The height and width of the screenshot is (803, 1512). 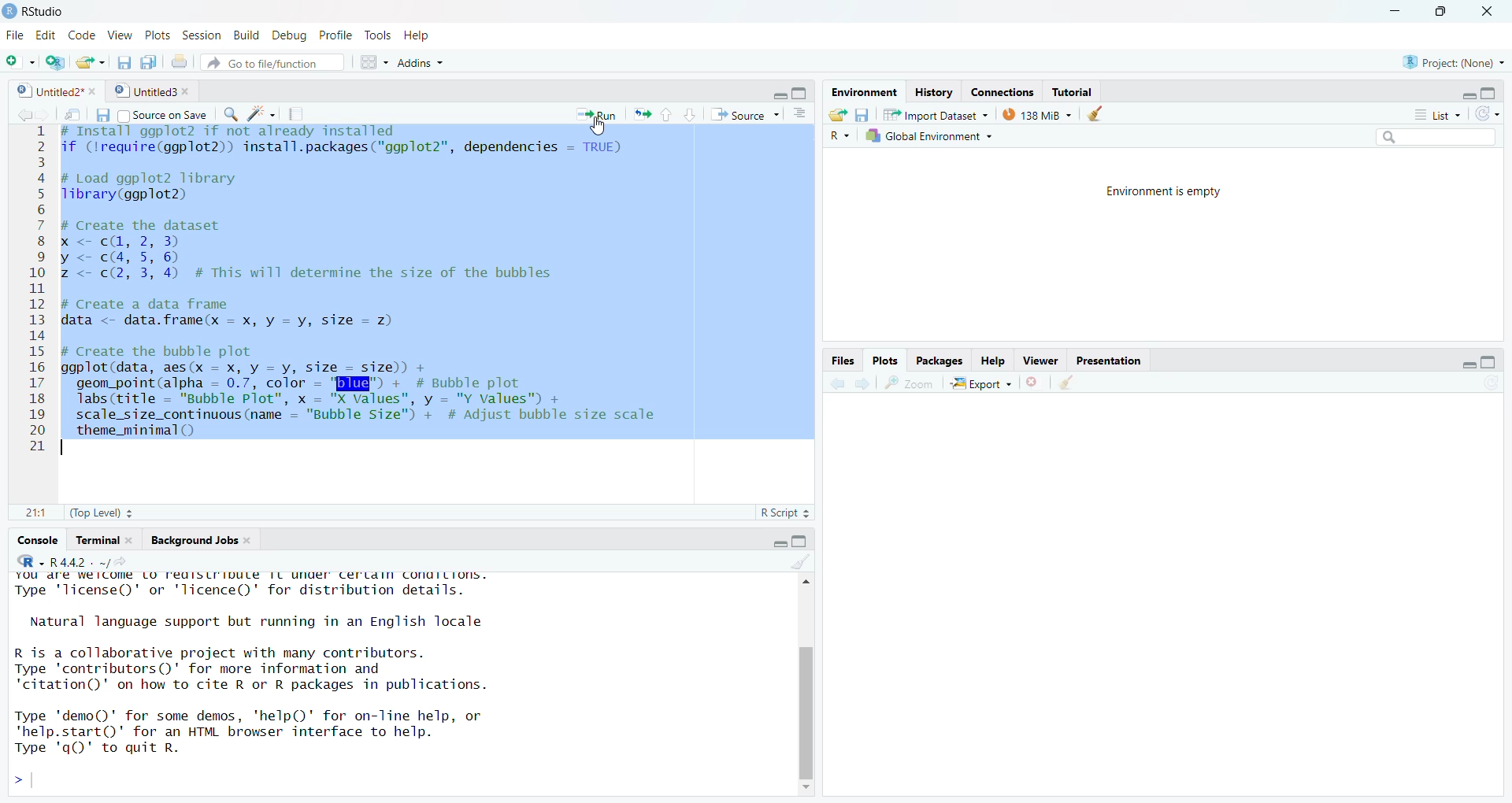 What do you see at coordinates (1034, 383) in the screenshot?
I see `remove all viewers` at bounding box center [1034, 383].